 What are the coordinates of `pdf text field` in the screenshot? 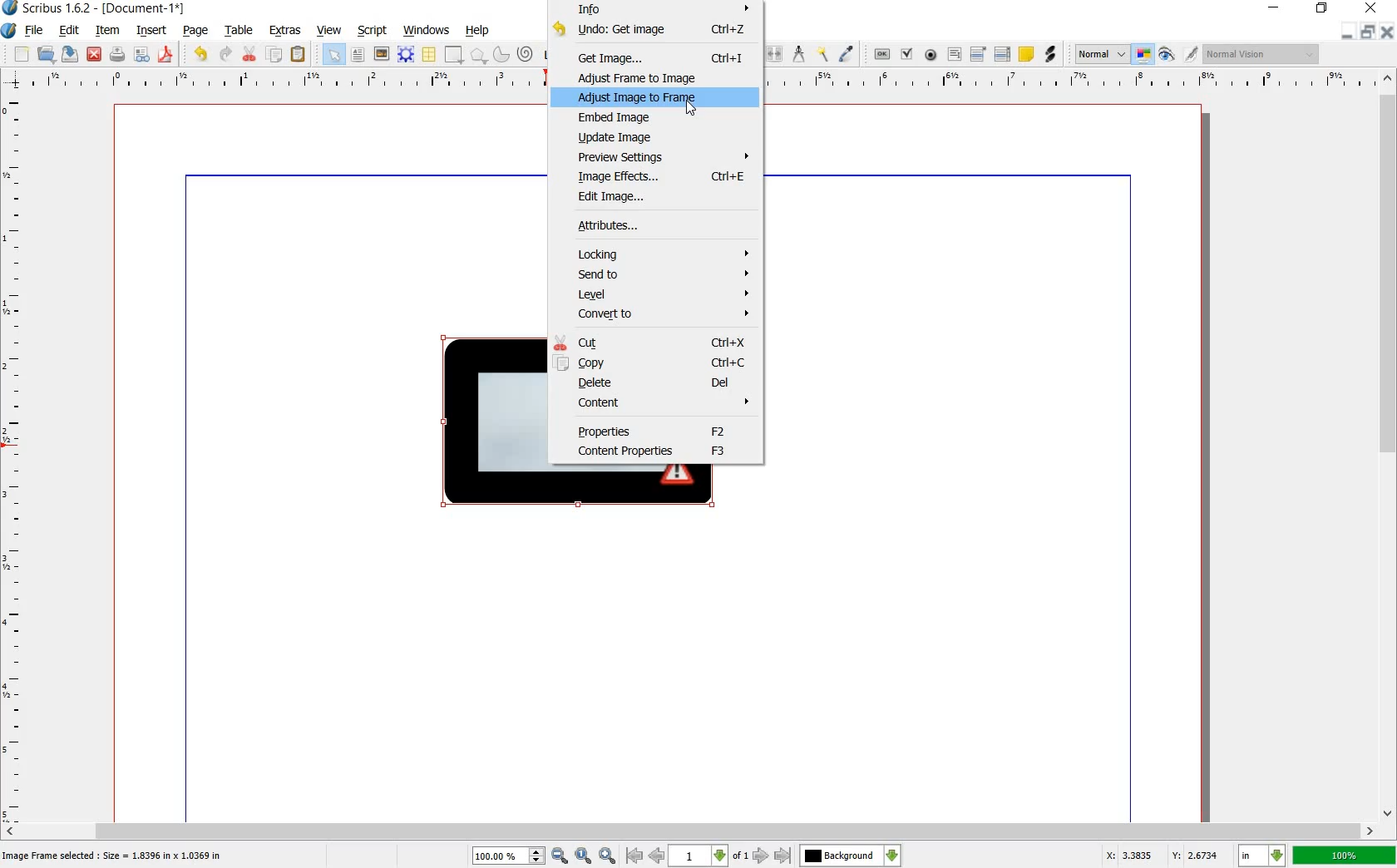 It's located at (955, 55).